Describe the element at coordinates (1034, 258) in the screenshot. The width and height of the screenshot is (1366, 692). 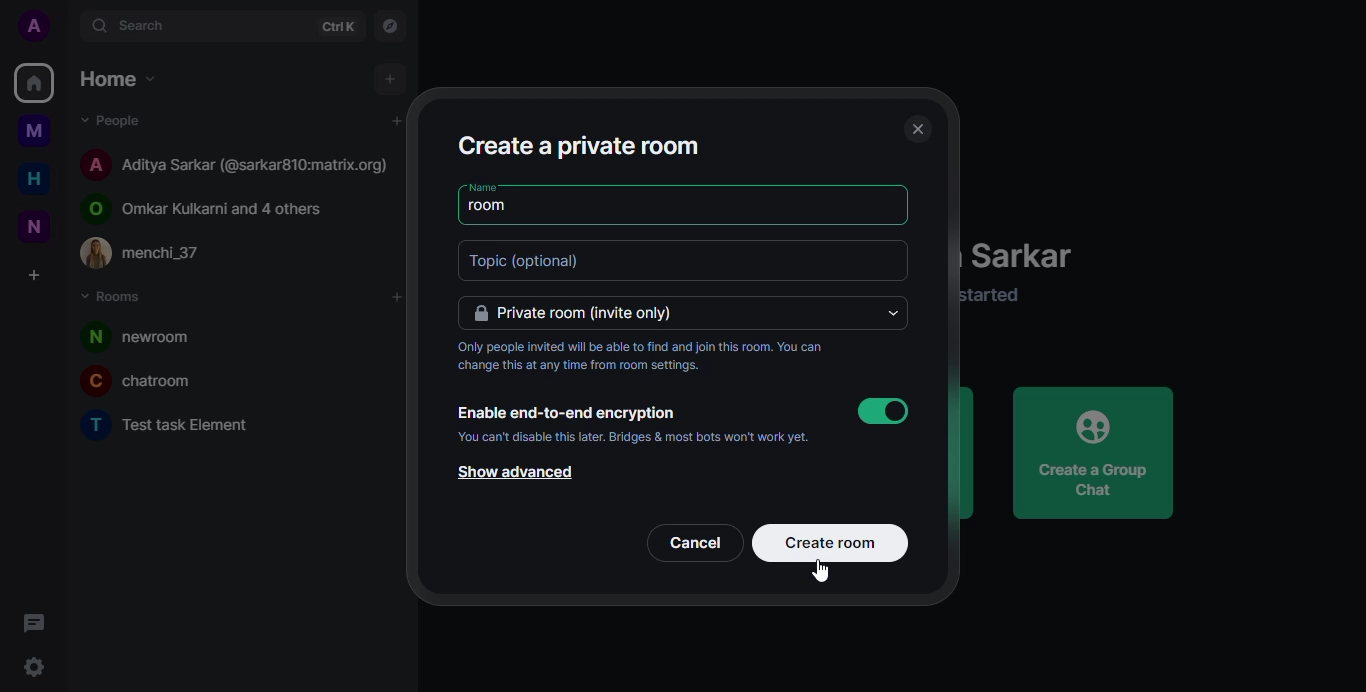
I see `welcome` at that location.